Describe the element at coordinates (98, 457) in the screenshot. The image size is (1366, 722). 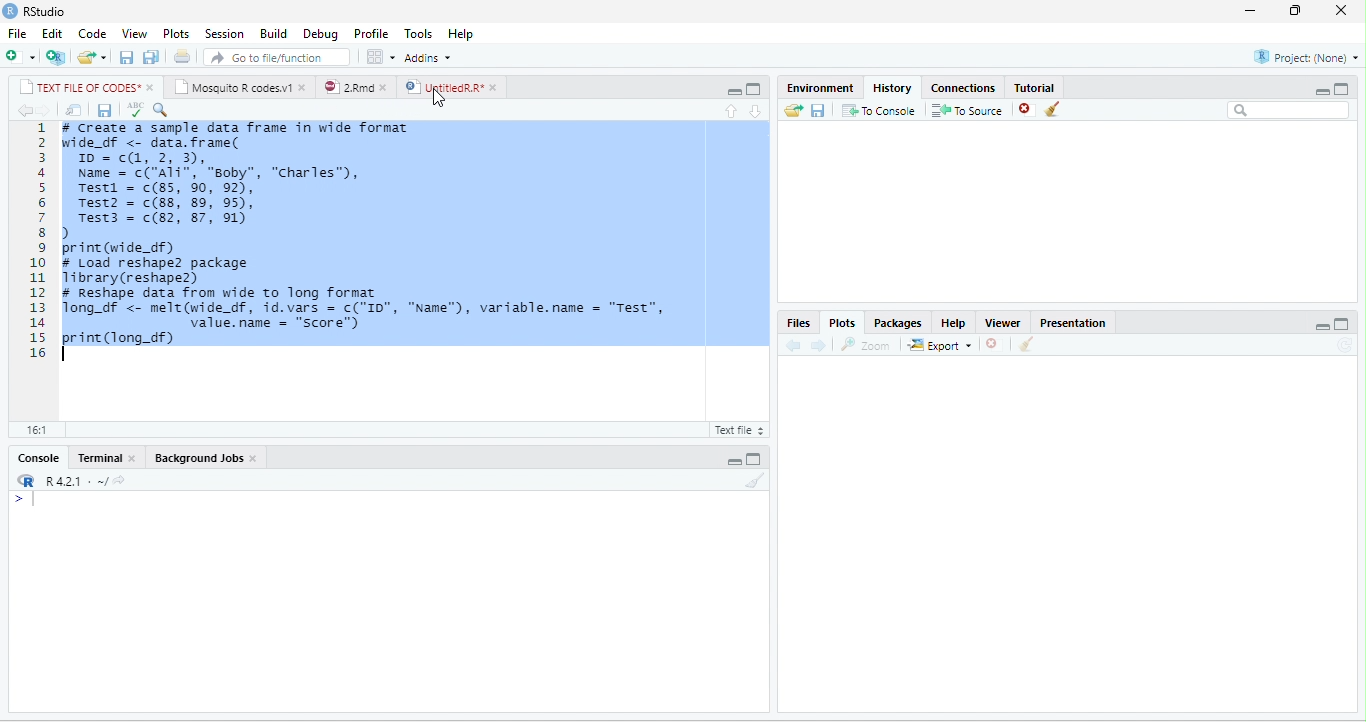
I see `Terminal` at that location.